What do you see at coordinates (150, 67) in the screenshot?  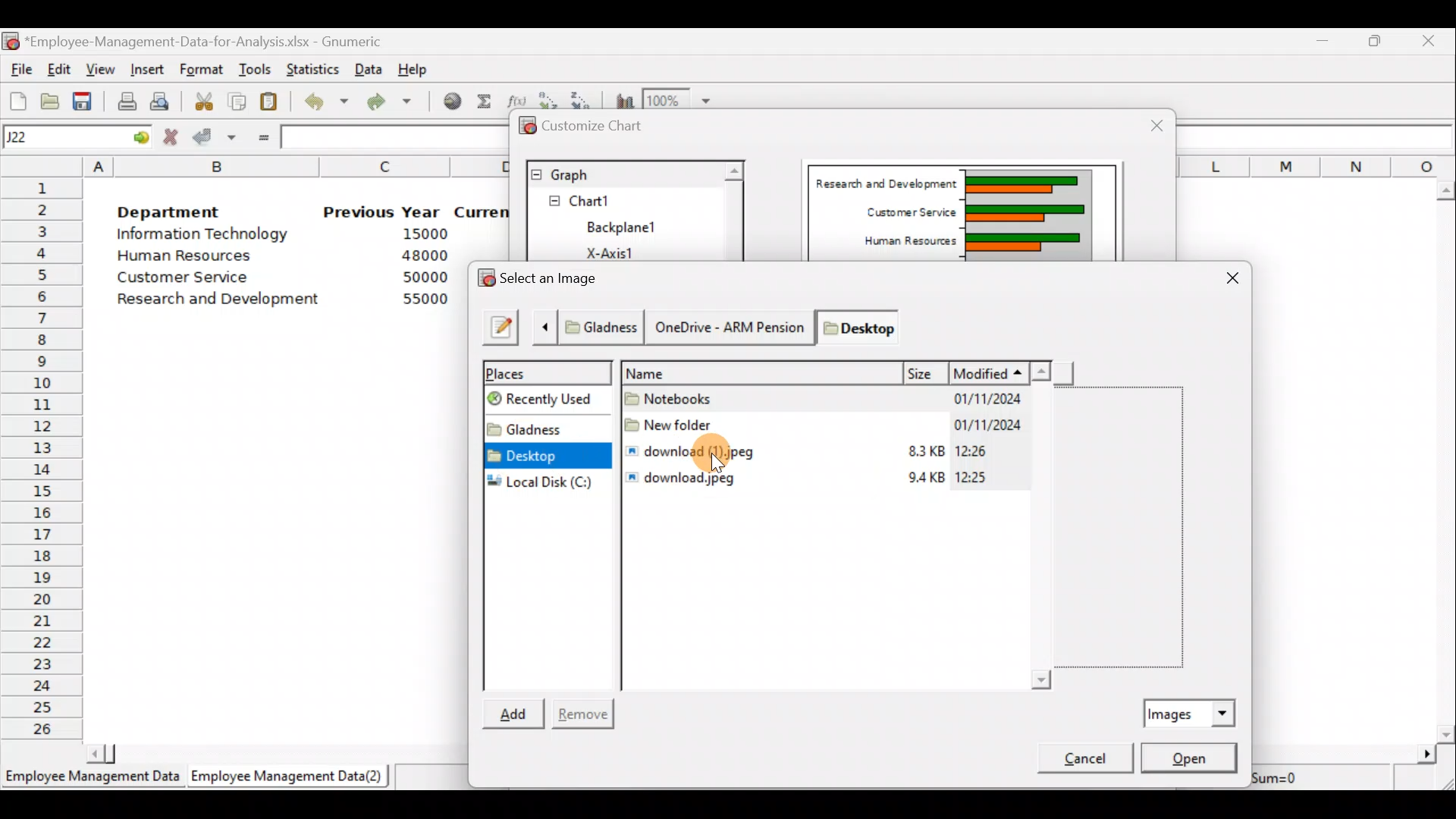 I see `Insert` at bounding box center [150, 67].